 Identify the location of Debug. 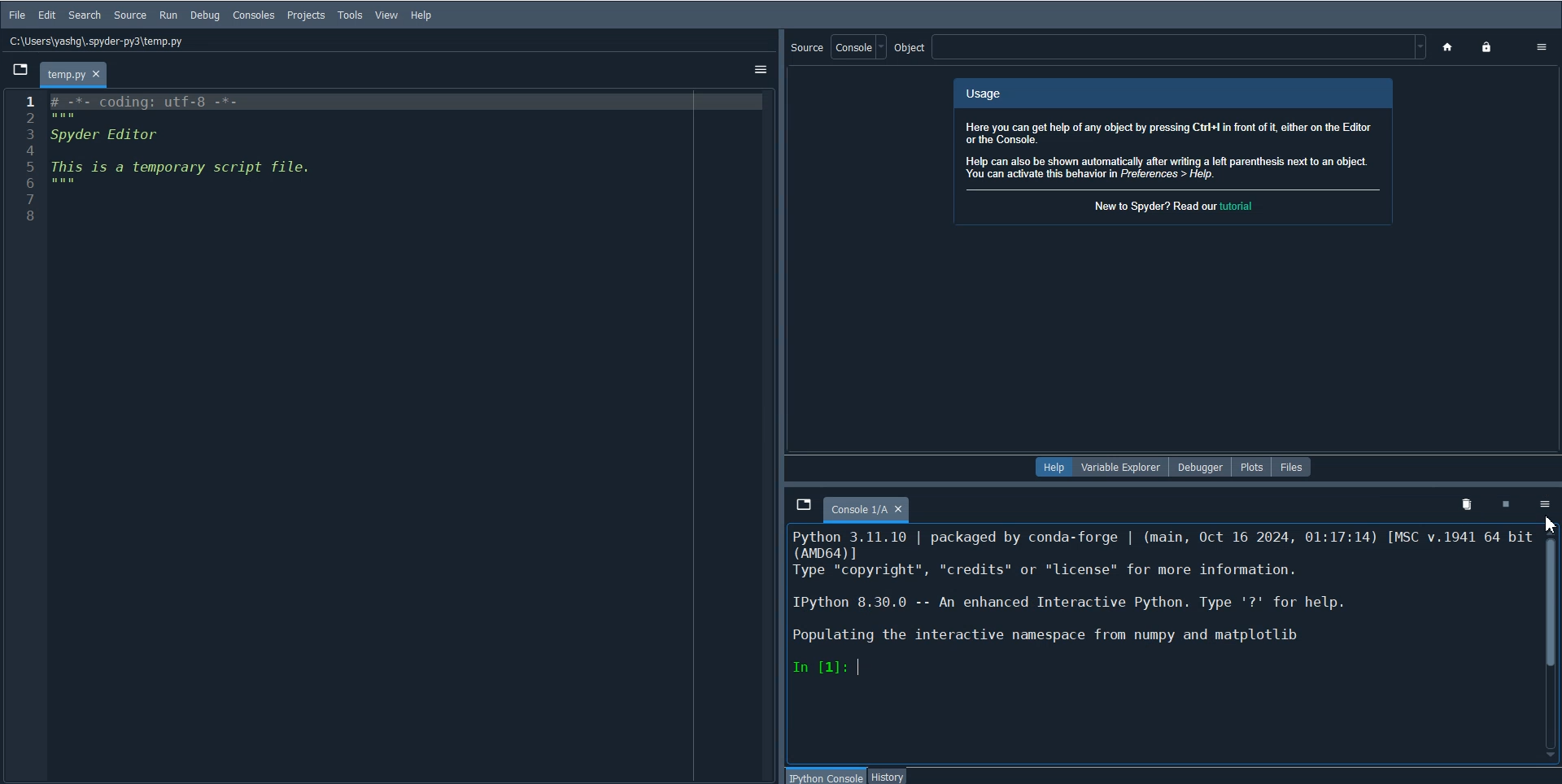
(205, 15).